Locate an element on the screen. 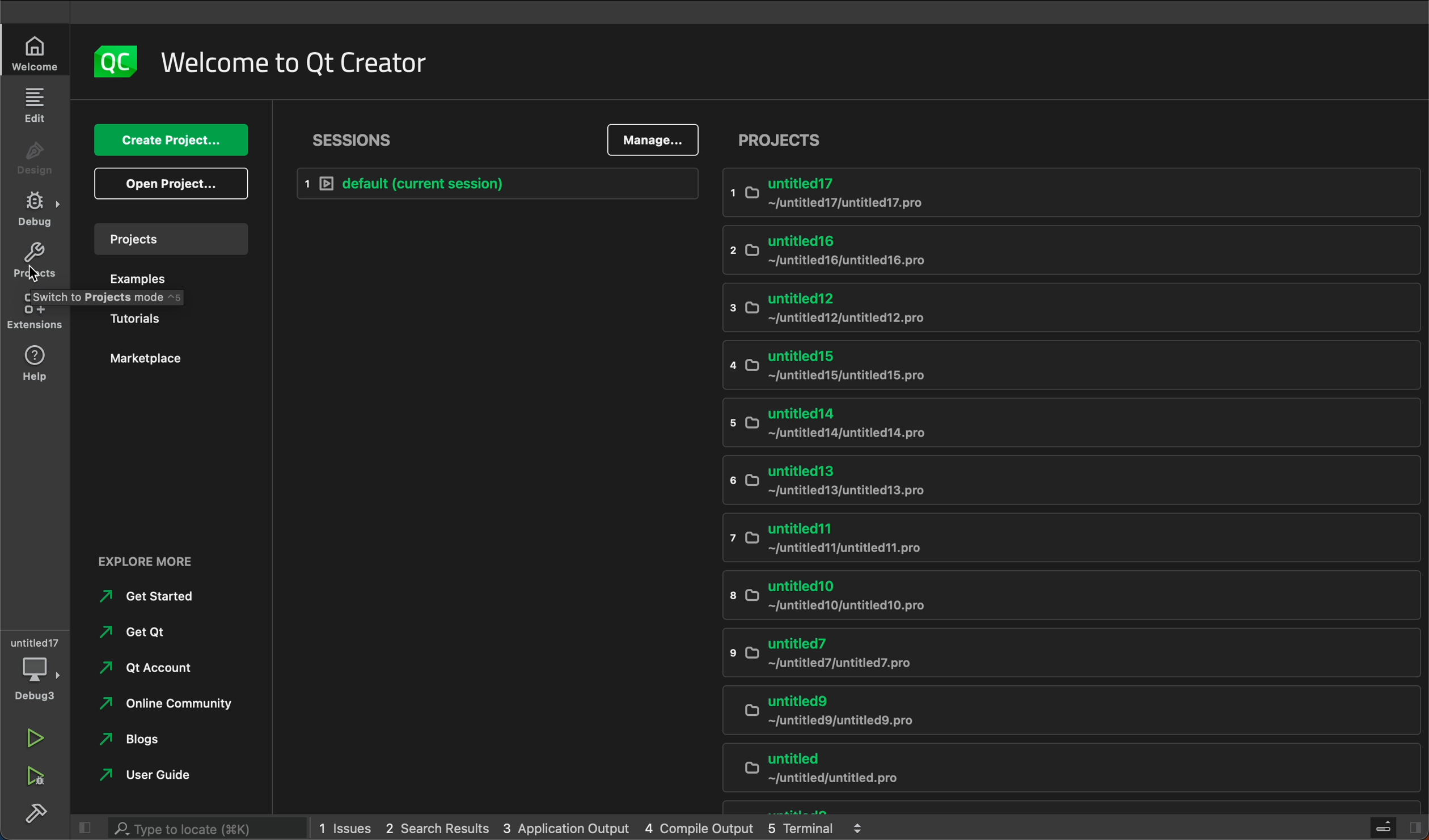  untitled is located at coordinates (1070, 768).